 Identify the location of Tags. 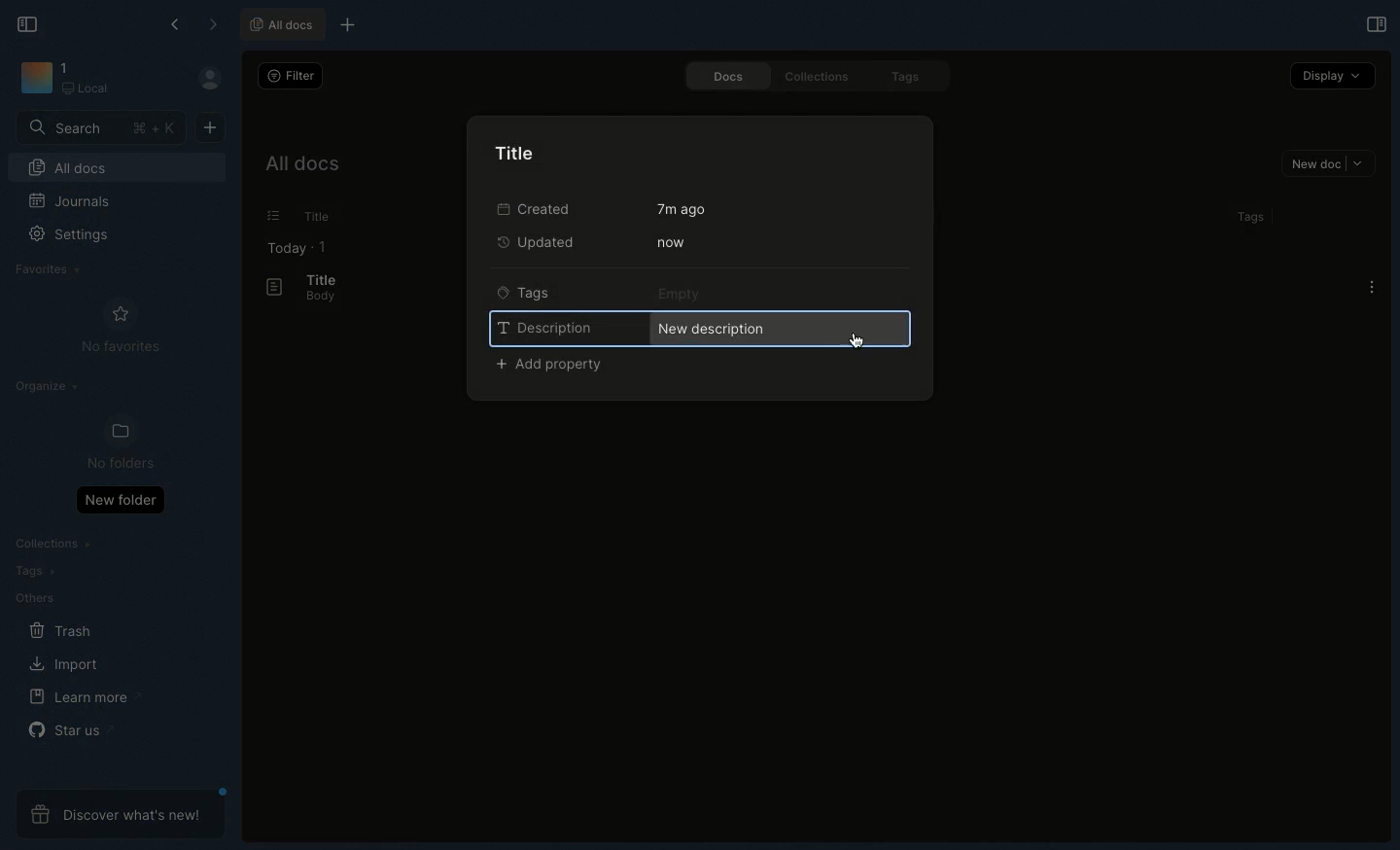
(909, 78).